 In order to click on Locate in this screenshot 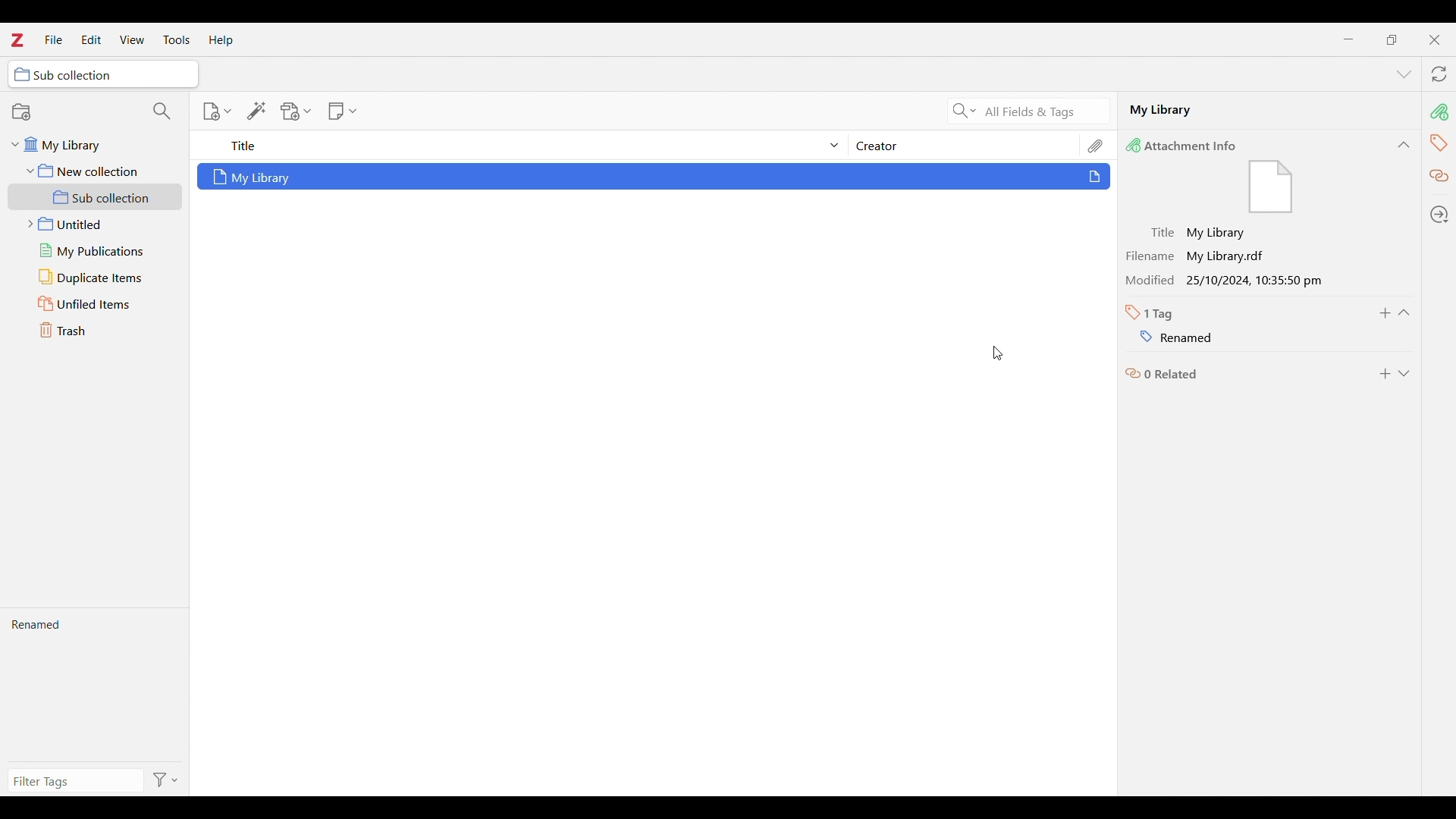, I will do `click(1439, 215)`.